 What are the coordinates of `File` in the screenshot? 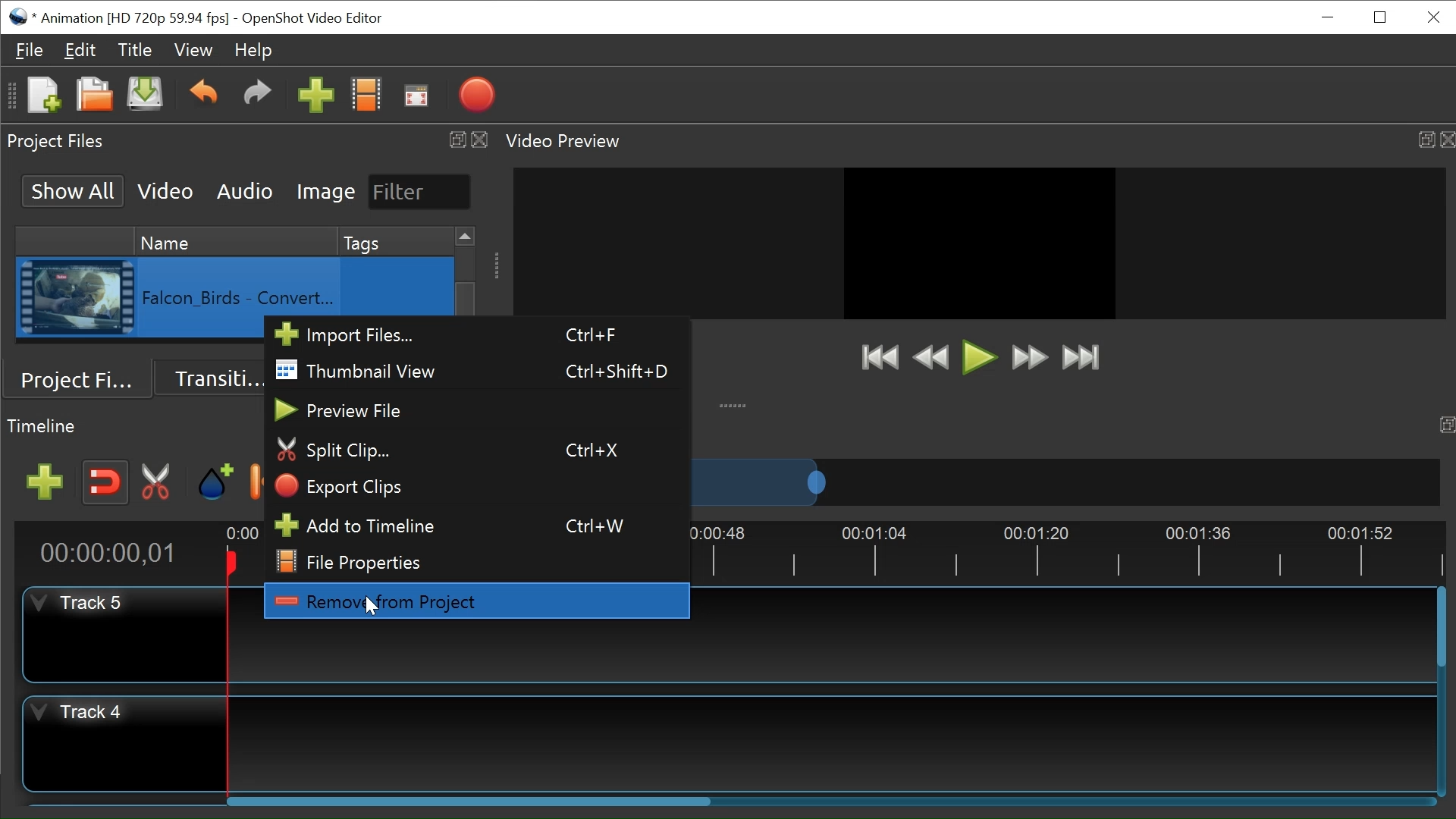 It's located at (31, 49).